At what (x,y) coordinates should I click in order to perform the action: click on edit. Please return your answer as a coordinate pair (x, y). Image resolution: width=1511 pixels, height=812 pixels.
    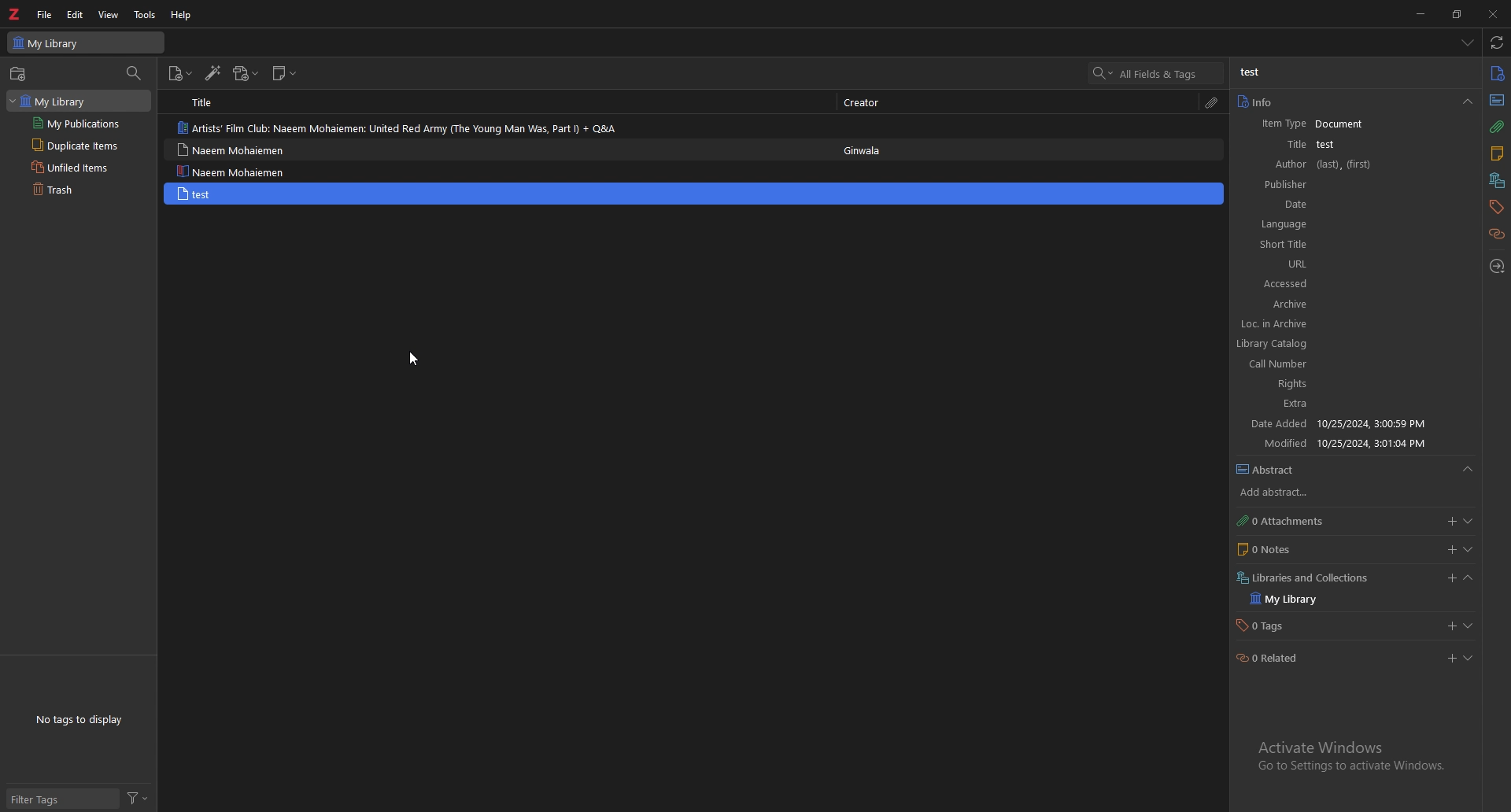
    Looking at the image, I should click on (76, 14).